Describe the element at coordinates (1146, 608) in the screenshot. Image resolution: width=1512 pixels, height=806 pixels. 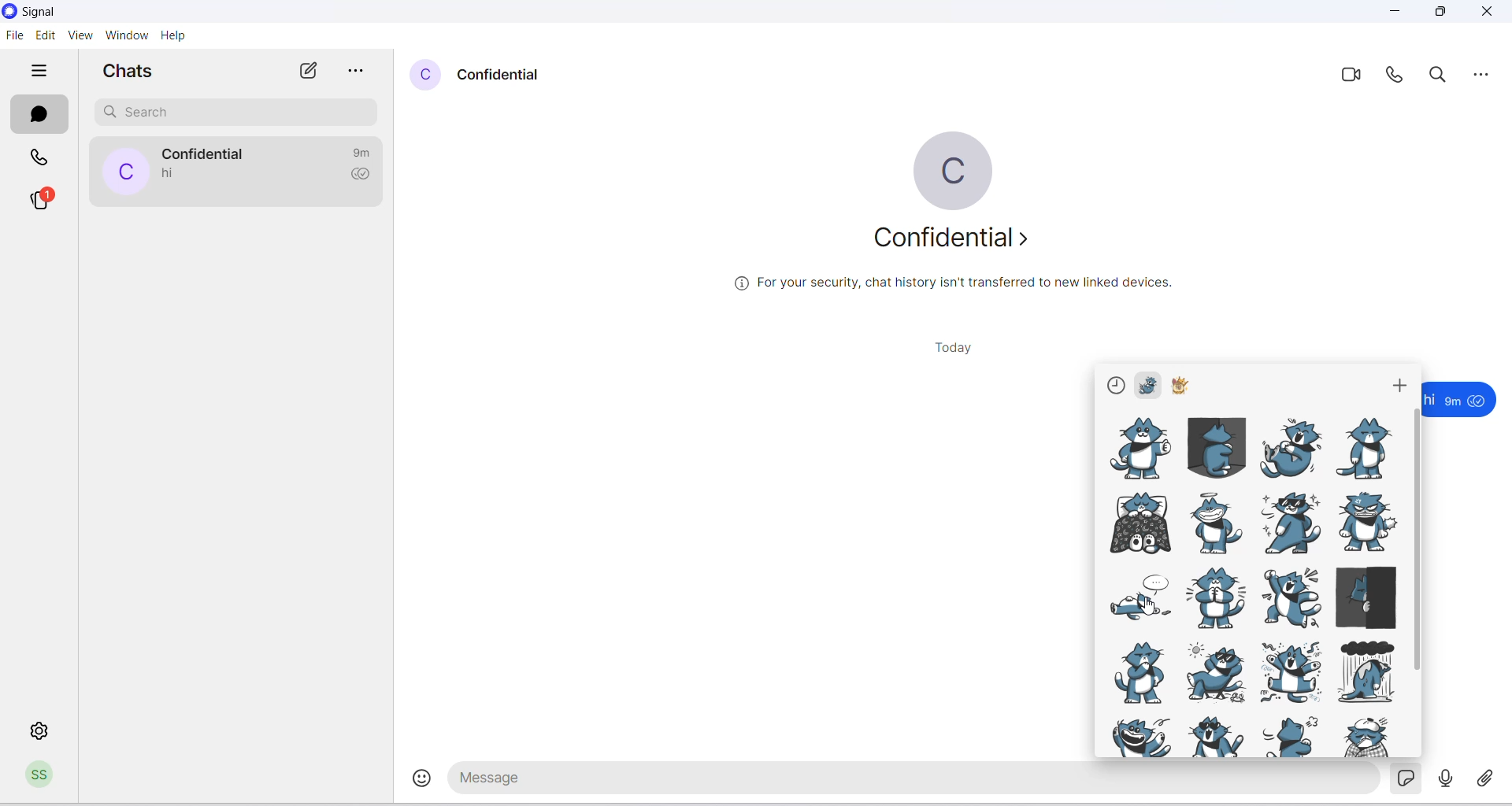
I see `cursor` at that location.